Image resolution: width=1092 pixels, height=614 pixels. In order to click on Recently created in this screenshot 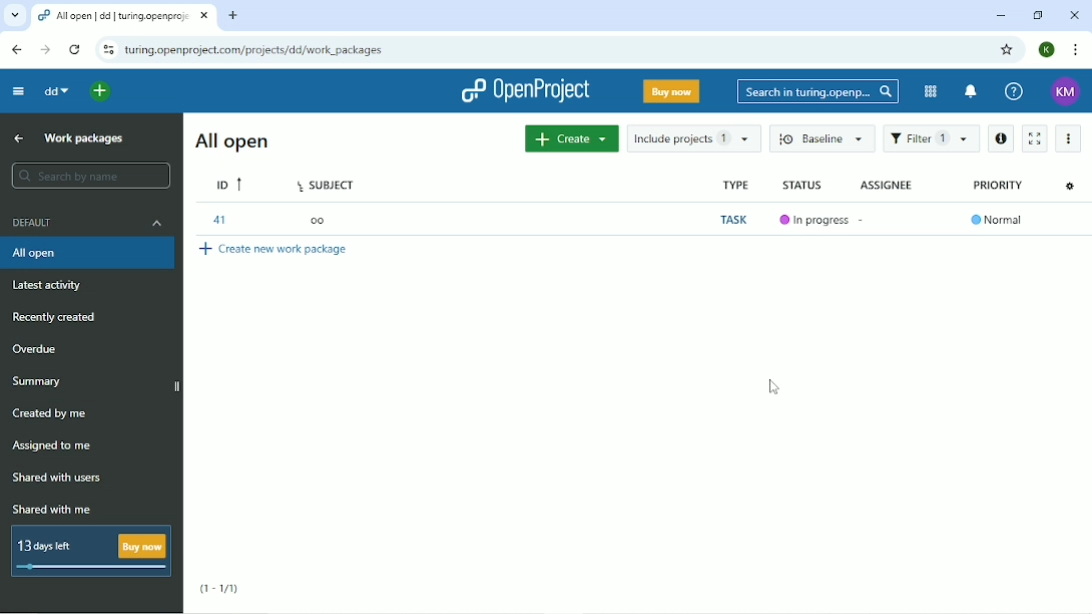, I will do `click(56, 317)`.